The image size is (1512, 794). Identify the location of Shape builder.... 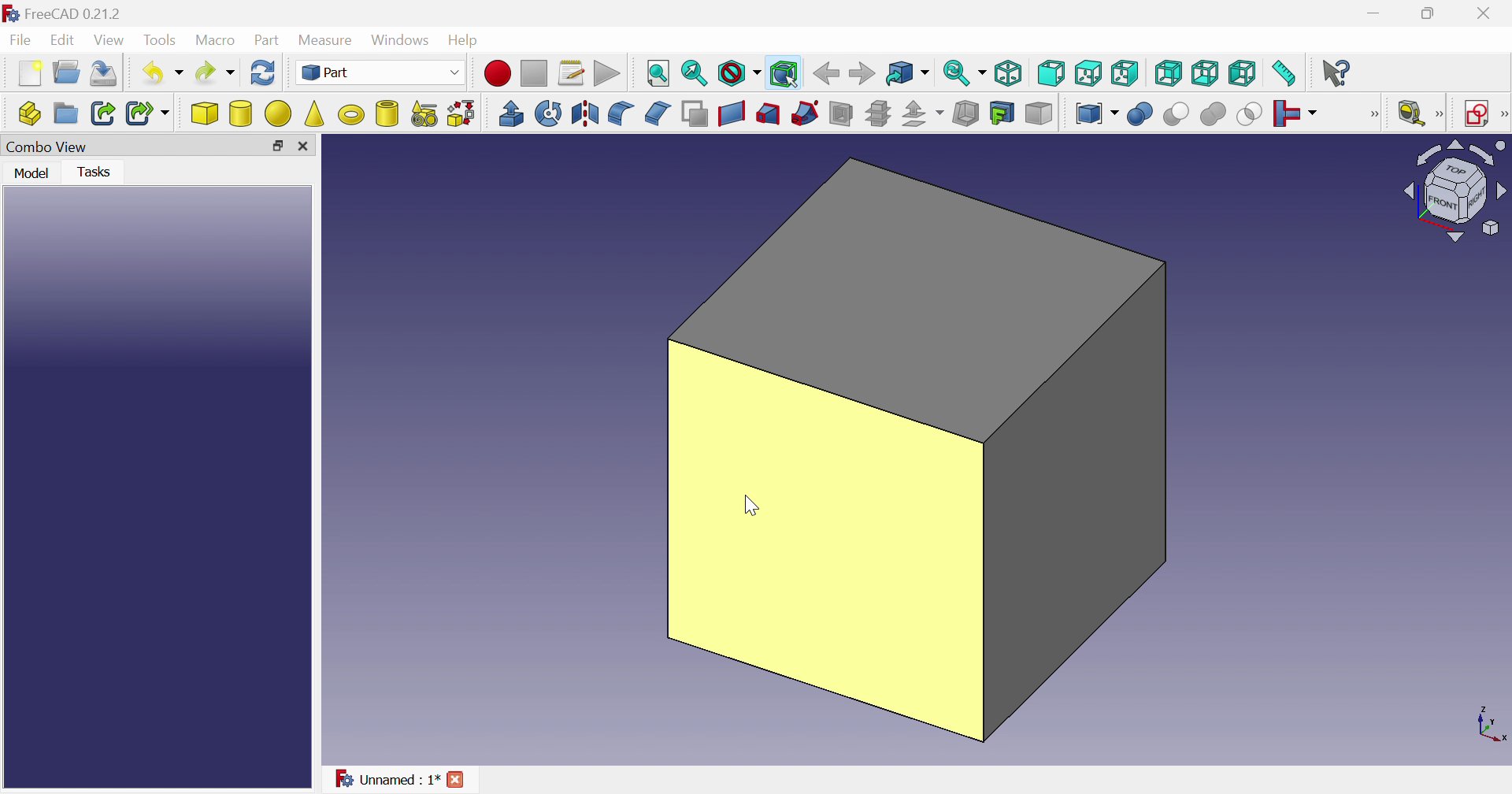
(460, 113).